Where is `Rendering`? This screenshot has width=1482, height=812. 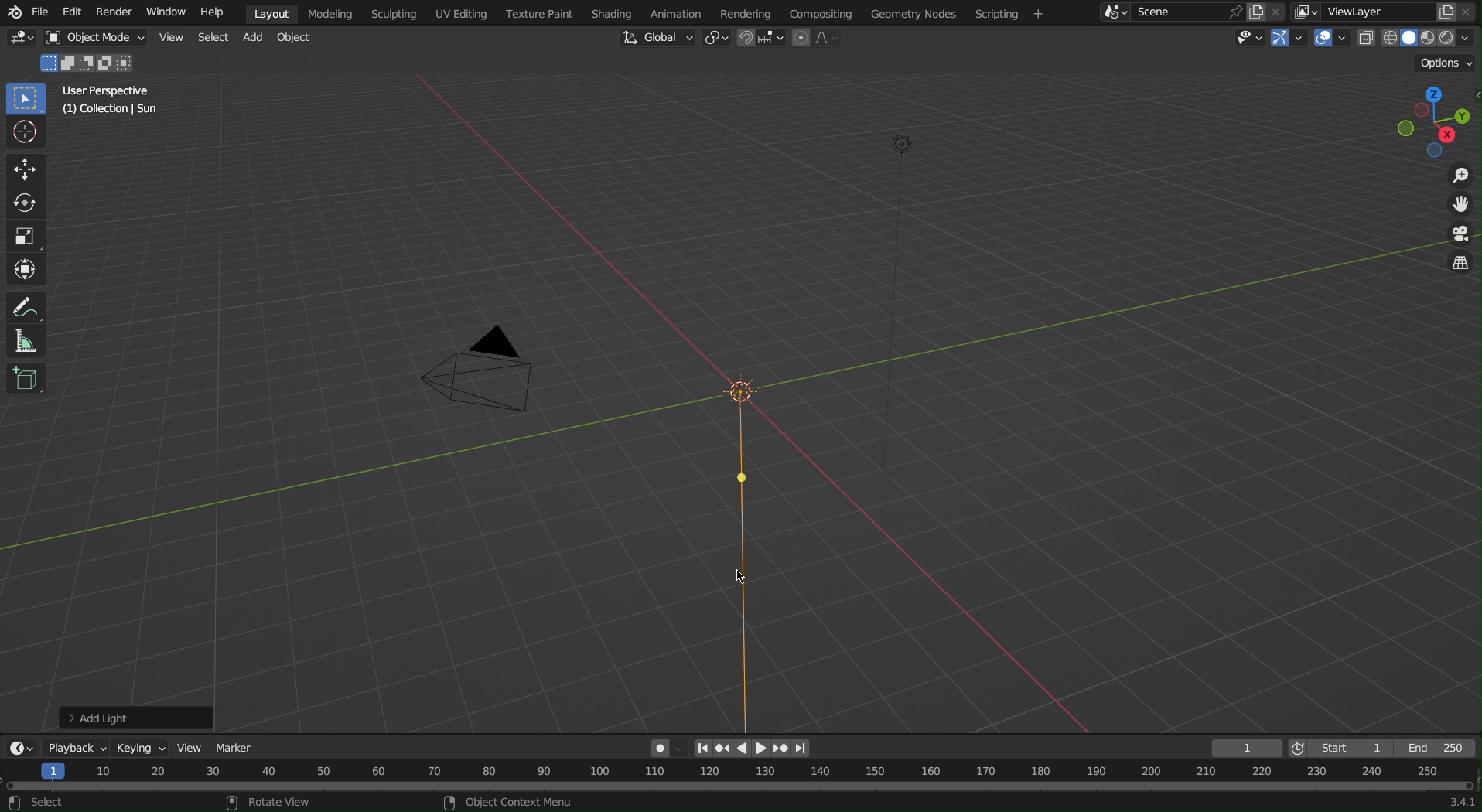
Rendering is located at coordinates (744, 12).